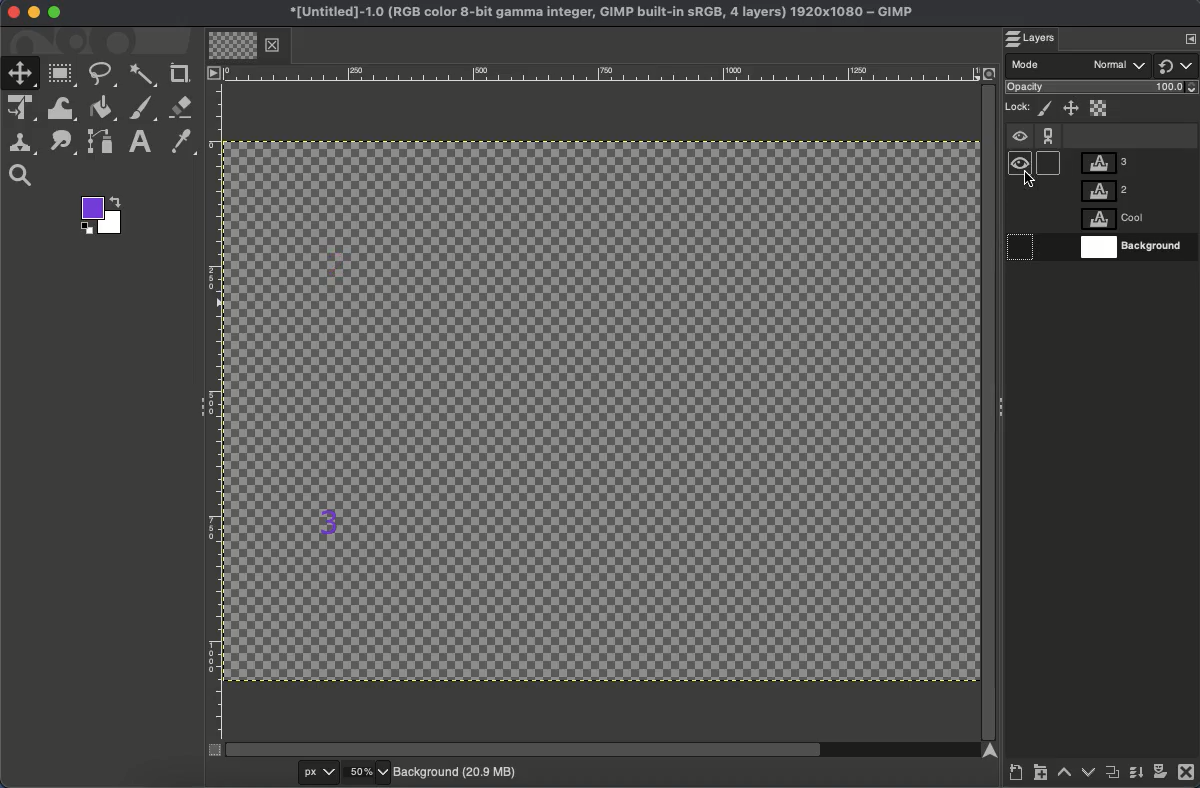  What do you see at coordinates (20, 176) in the screenshot?
I see `Search` at bounding box center [20, 176].